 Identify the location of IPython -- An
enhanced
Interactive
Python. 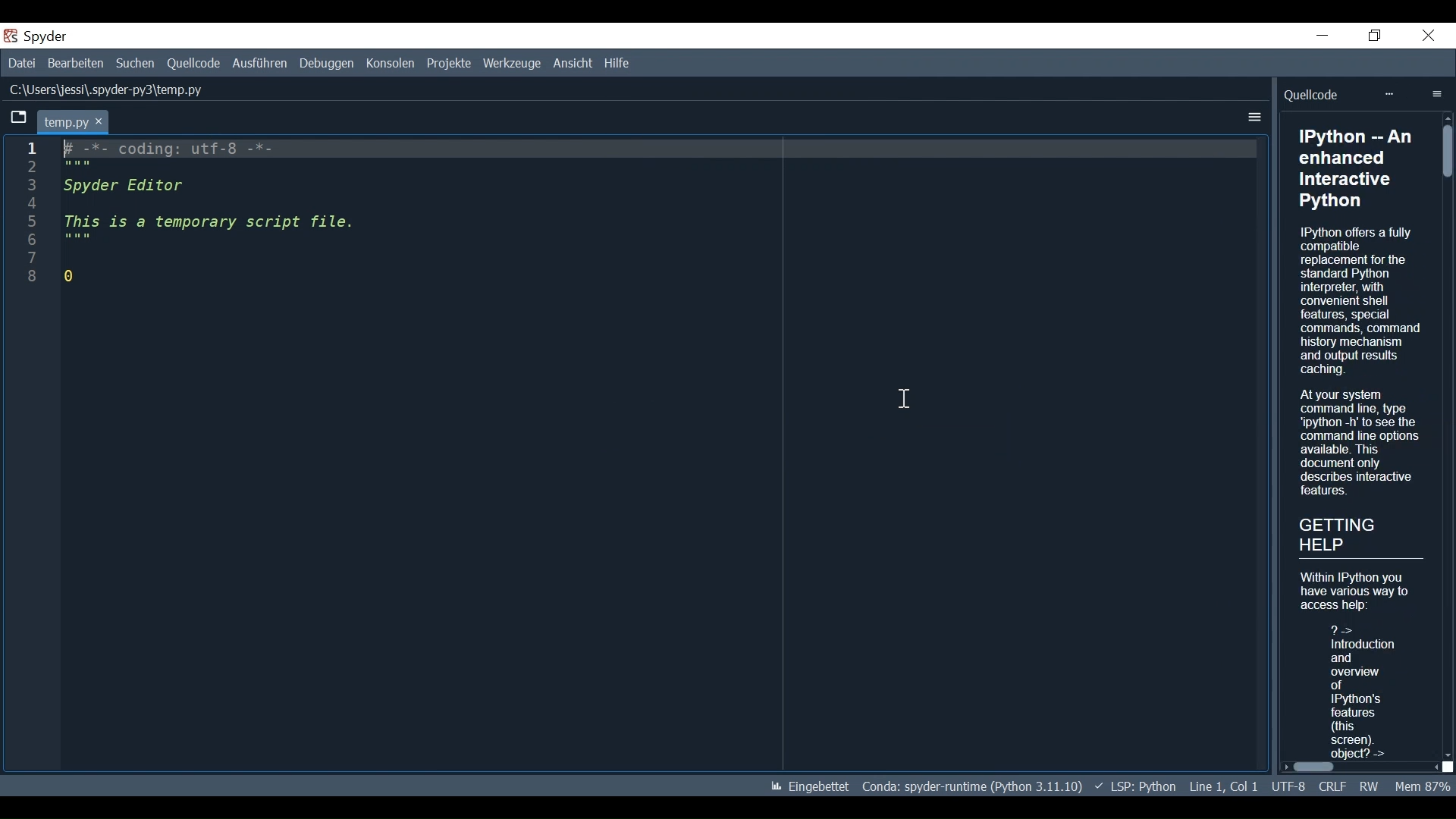
(1359, 168).